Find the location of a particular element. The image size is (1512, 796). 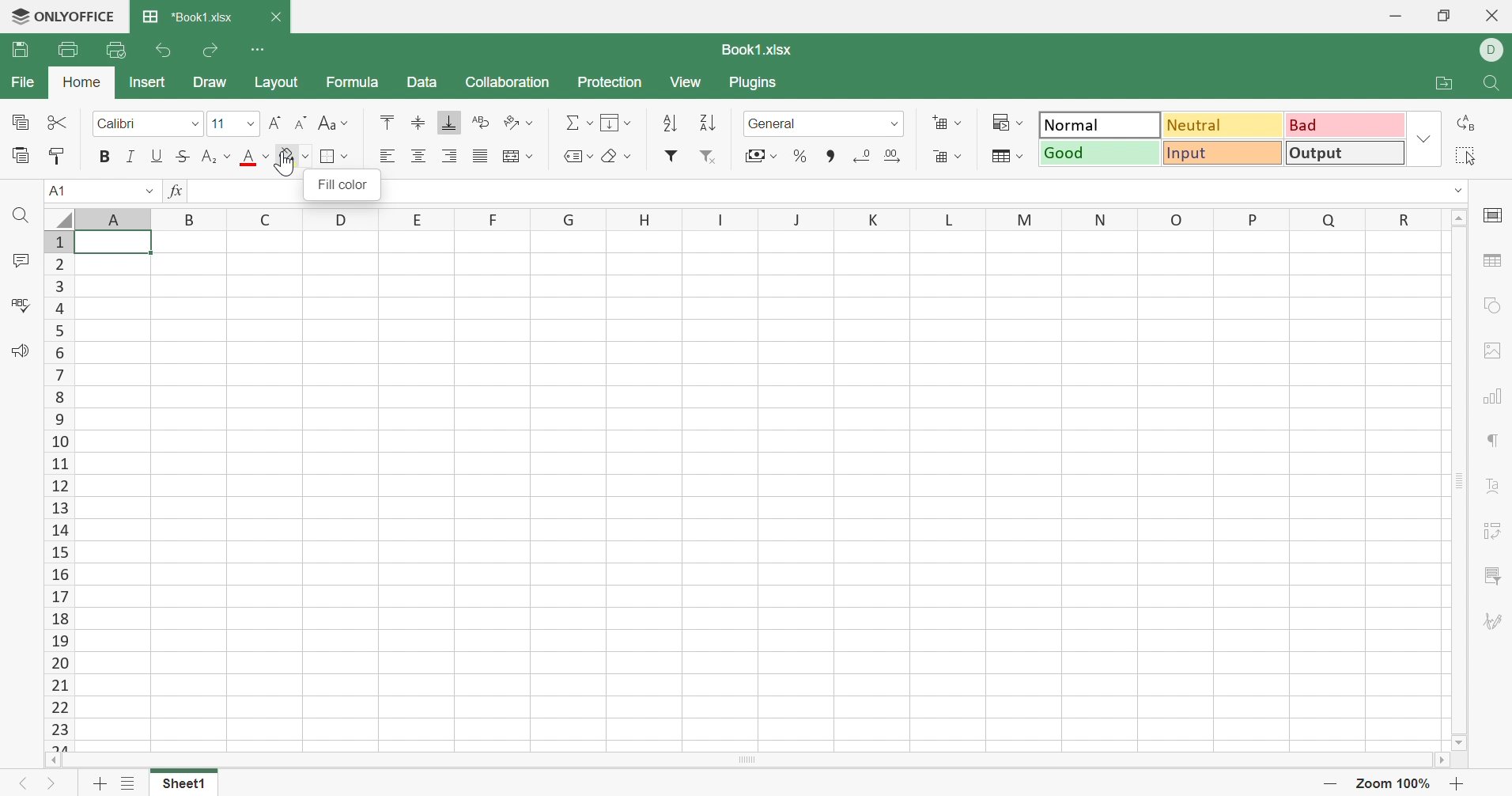

Draw is located at coordinates (212, 82).